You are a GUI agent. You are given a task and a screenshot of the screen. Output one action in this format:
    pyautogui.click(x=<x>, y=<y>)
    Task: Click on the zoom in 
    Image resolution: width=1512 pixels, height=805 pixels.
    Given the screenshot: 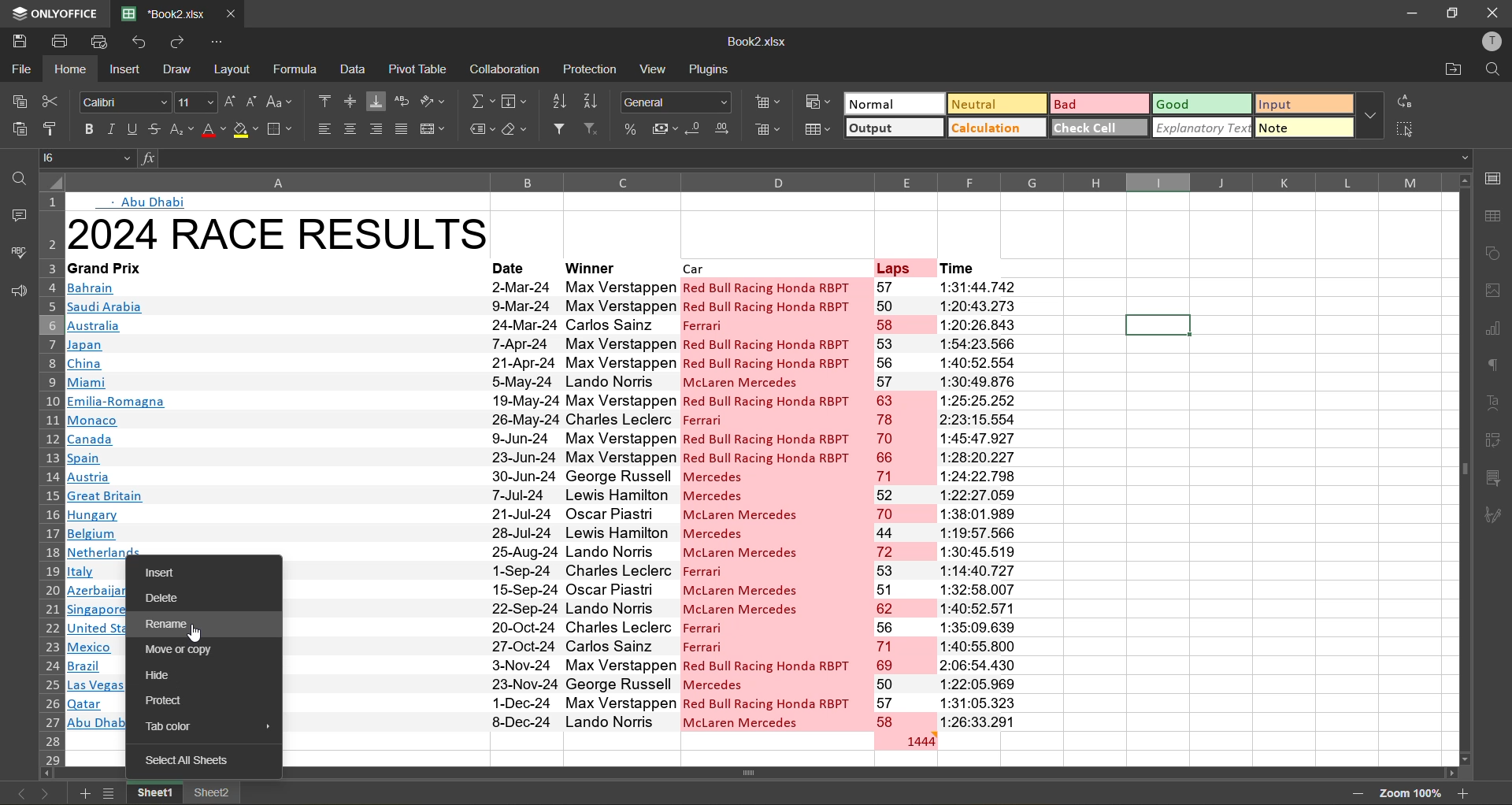 What is the action you would take?
    pyautogui.click(x=1464, y=792)
    